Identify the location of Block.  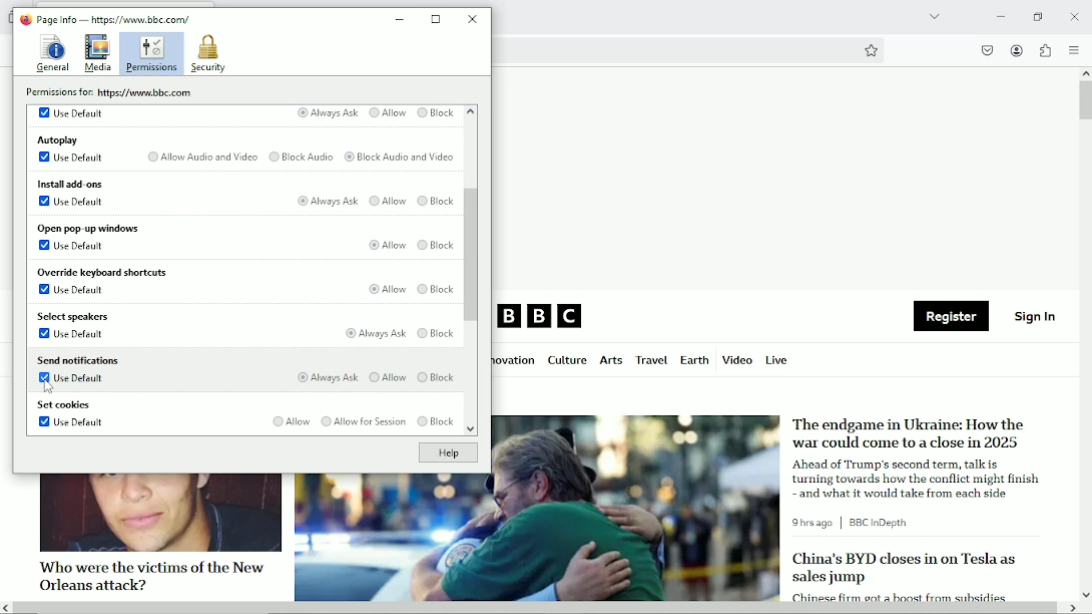
(438, 375).